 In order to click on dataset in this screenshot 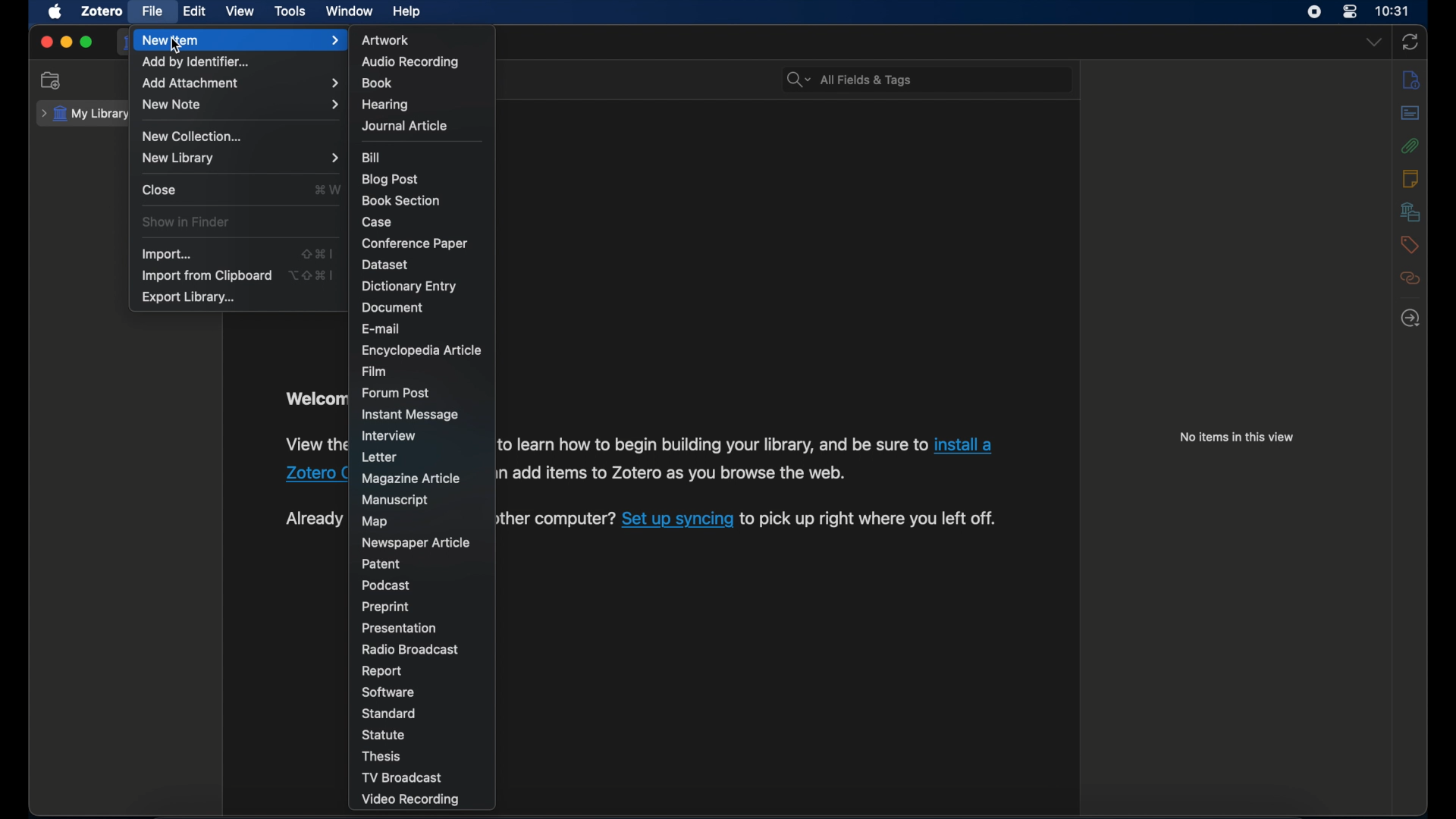, I will do `click(386, 265)`.